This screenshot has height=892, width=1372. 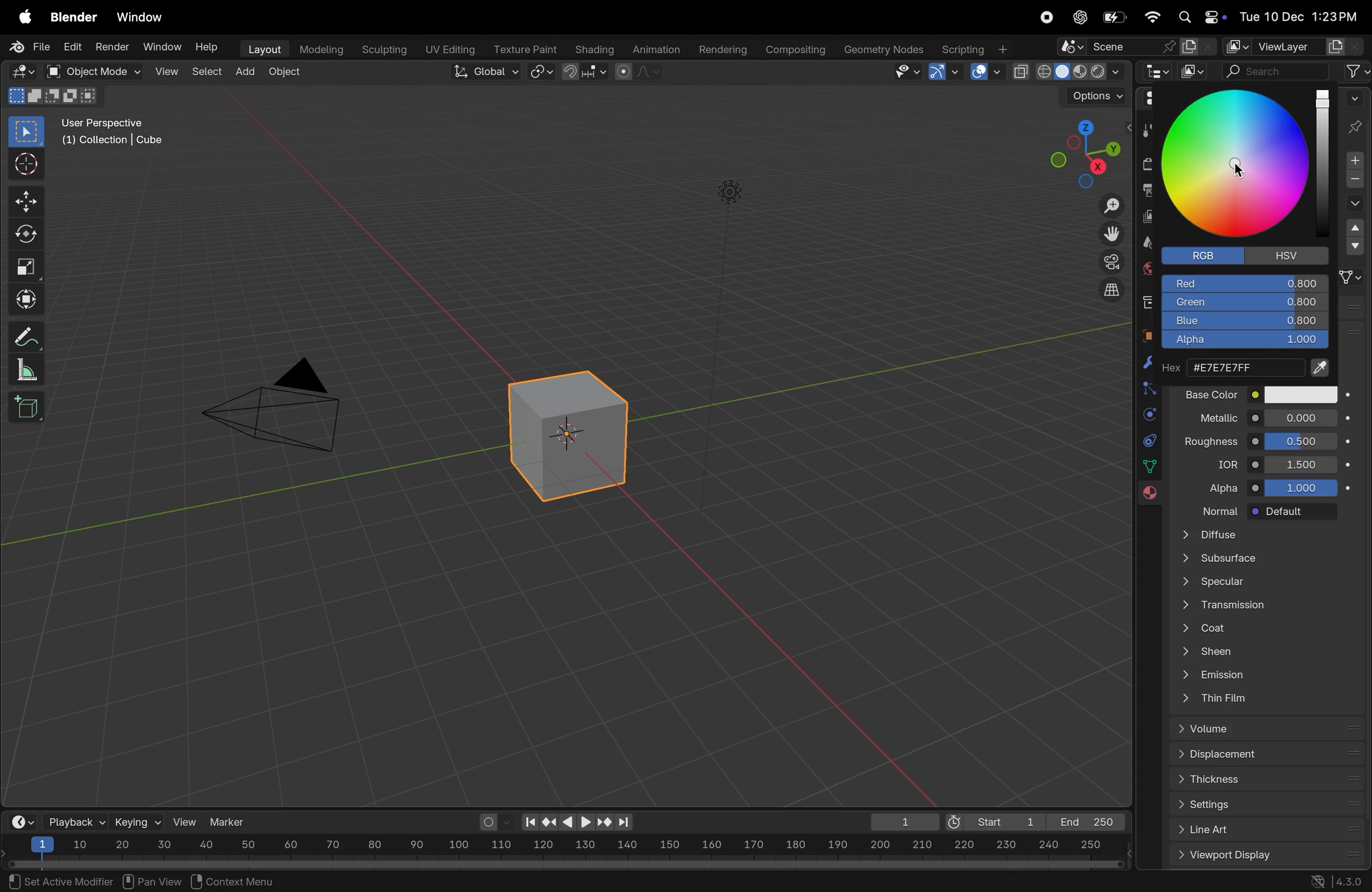 What do you see at coordinates (152, 880) in the screenshot?
I see `pan view` at bounding box center [152, 880].